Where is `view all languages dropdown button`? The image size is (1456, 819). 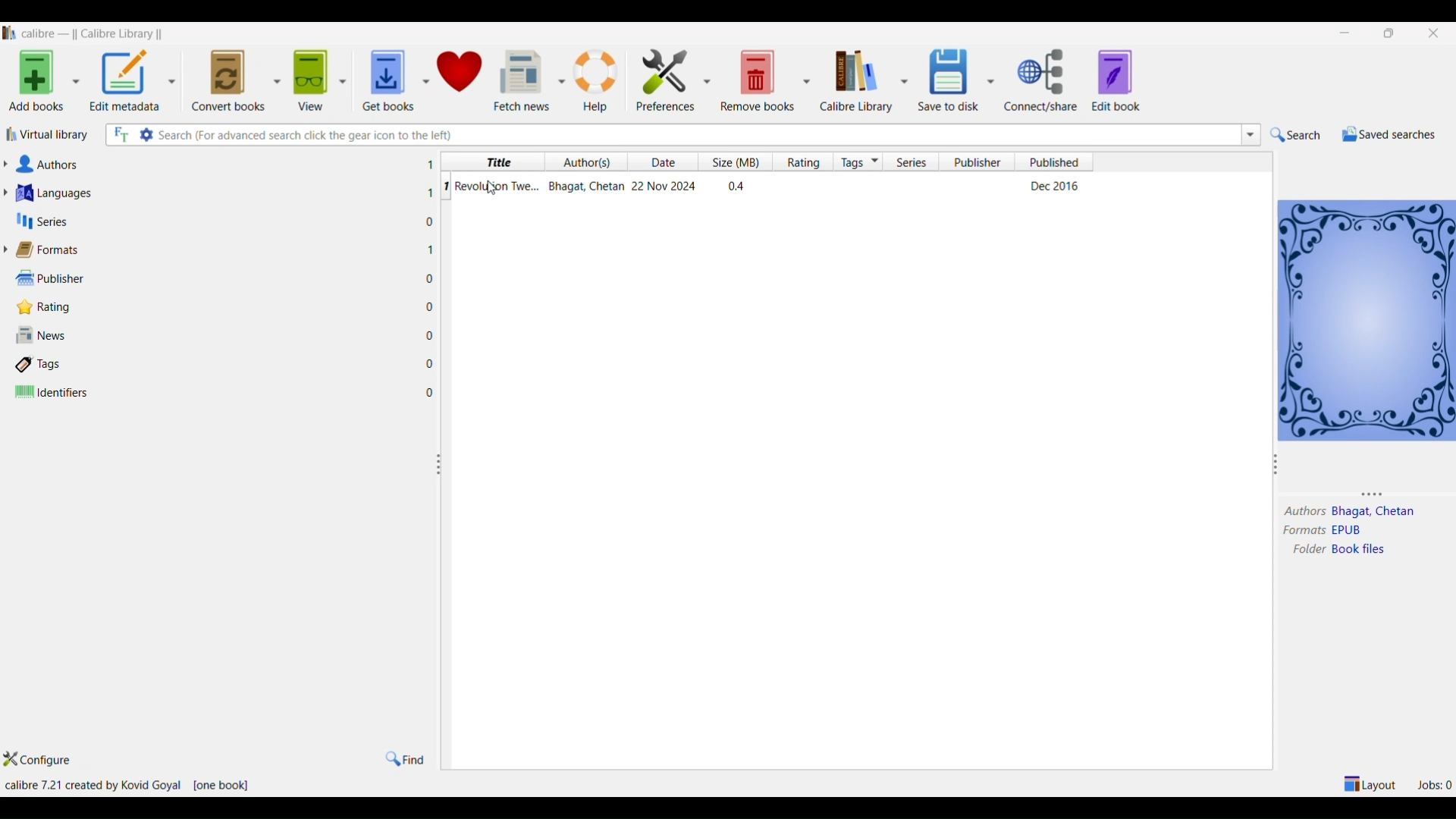 view all languages dropdown button is located at coordinates (10, 193).